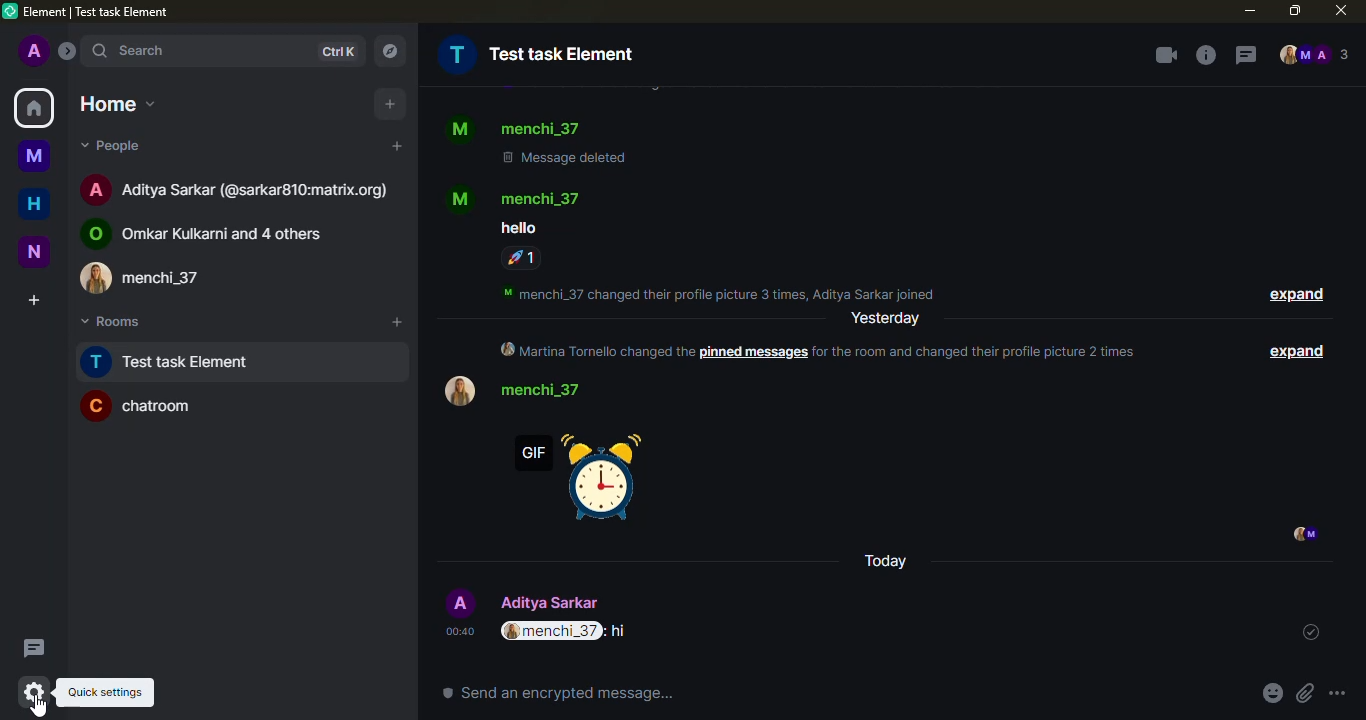  Describe the element at coordinates (886, 319) in the screenshot. I see `yesterday` at that location.